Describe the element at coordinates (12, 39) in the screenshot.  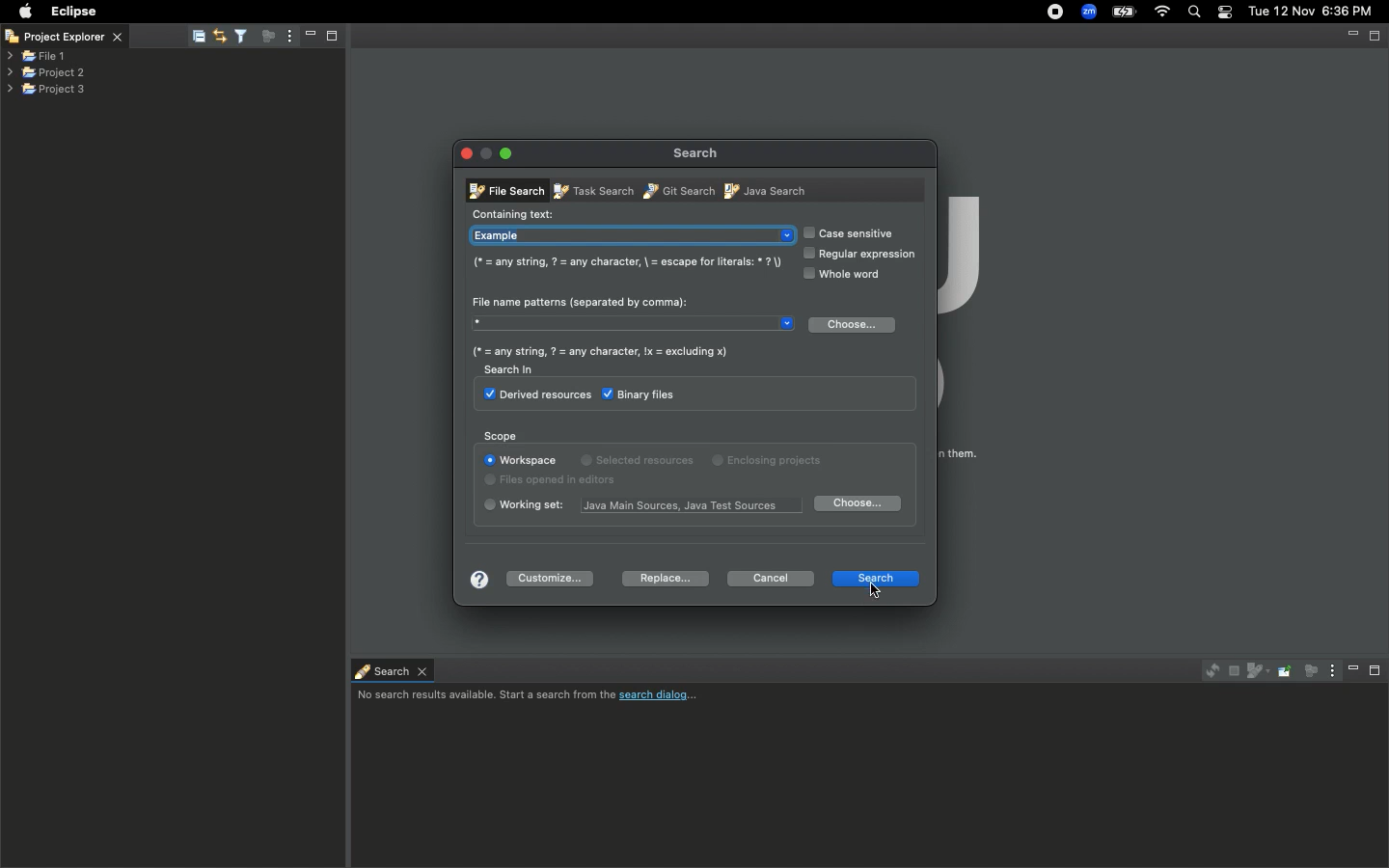
I see `Close` at that location.